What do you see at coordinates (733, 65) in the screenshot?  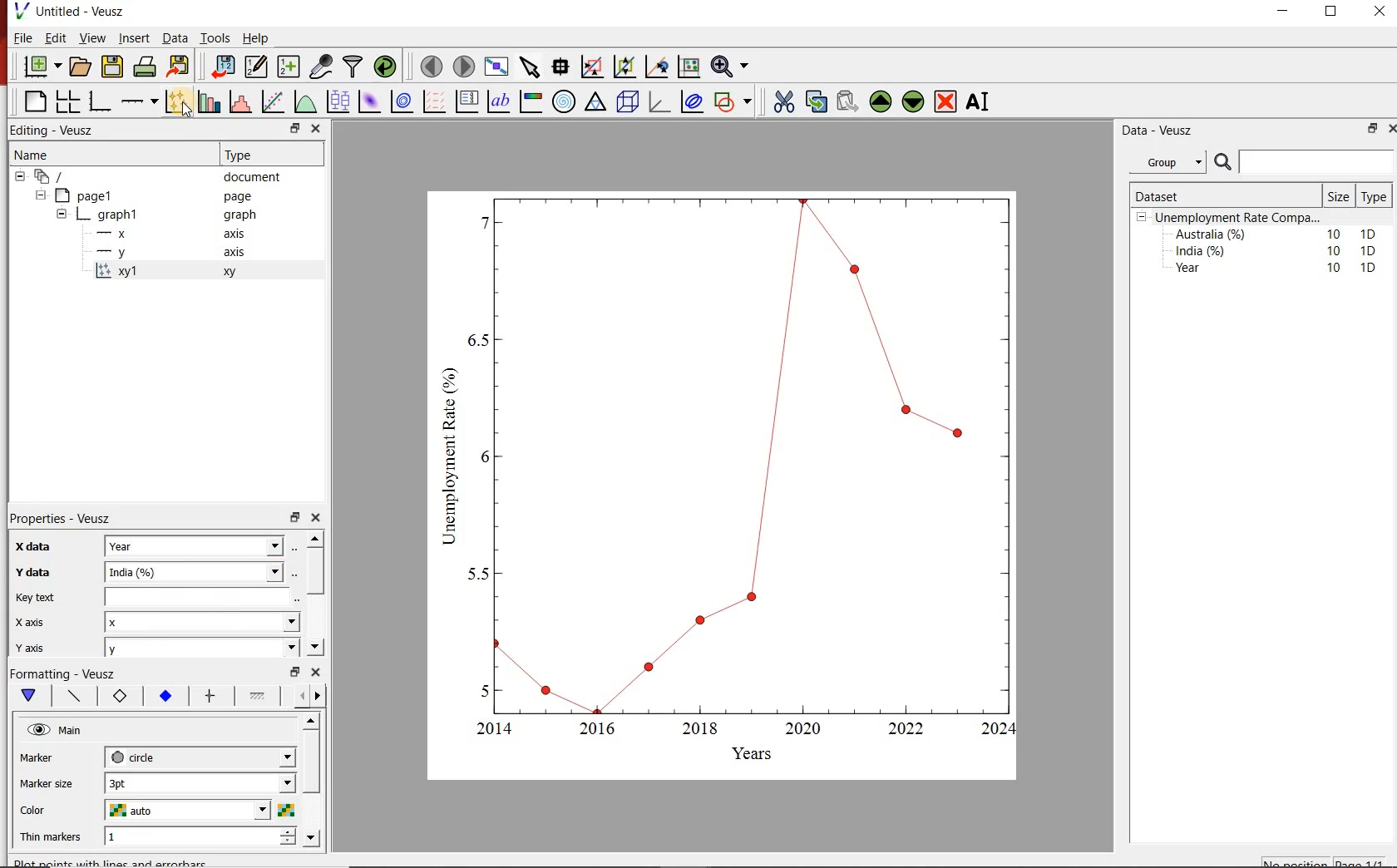 I see `zoom funtions` at bounding box center [733, 65].